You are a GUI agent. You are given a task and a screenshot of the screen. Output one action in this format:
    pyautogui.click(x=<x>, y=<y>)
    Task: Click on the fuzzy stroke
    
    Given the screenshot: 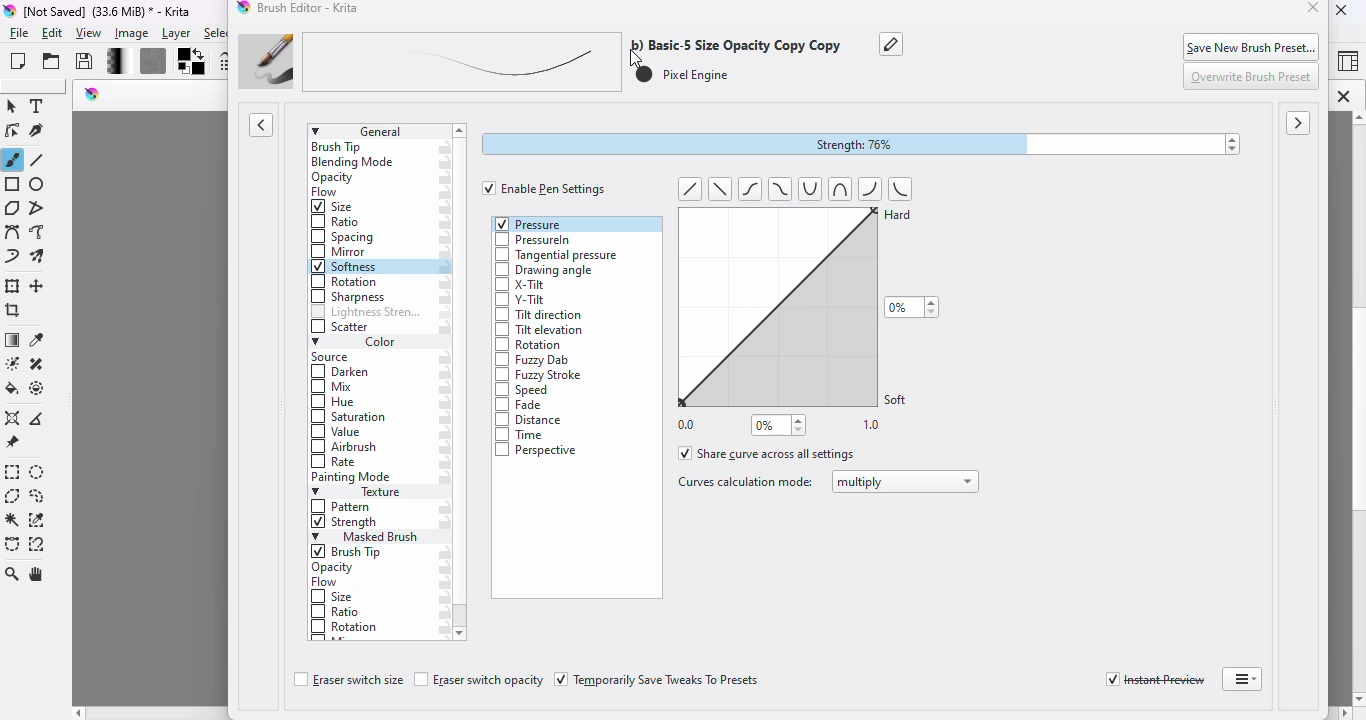 What is the action you would take?
    pyautogui.click(x=539, y=376)
    